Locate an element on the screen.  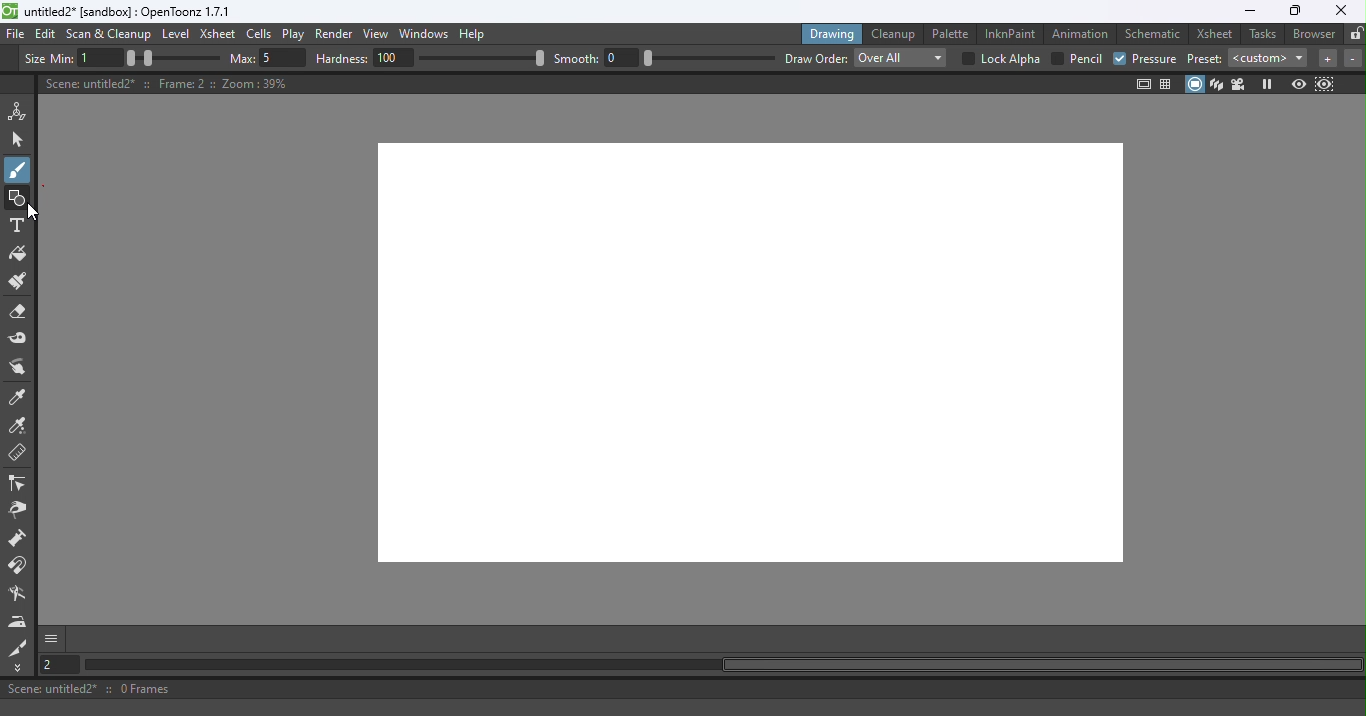
Canvas is located at coordinates (737, 362).